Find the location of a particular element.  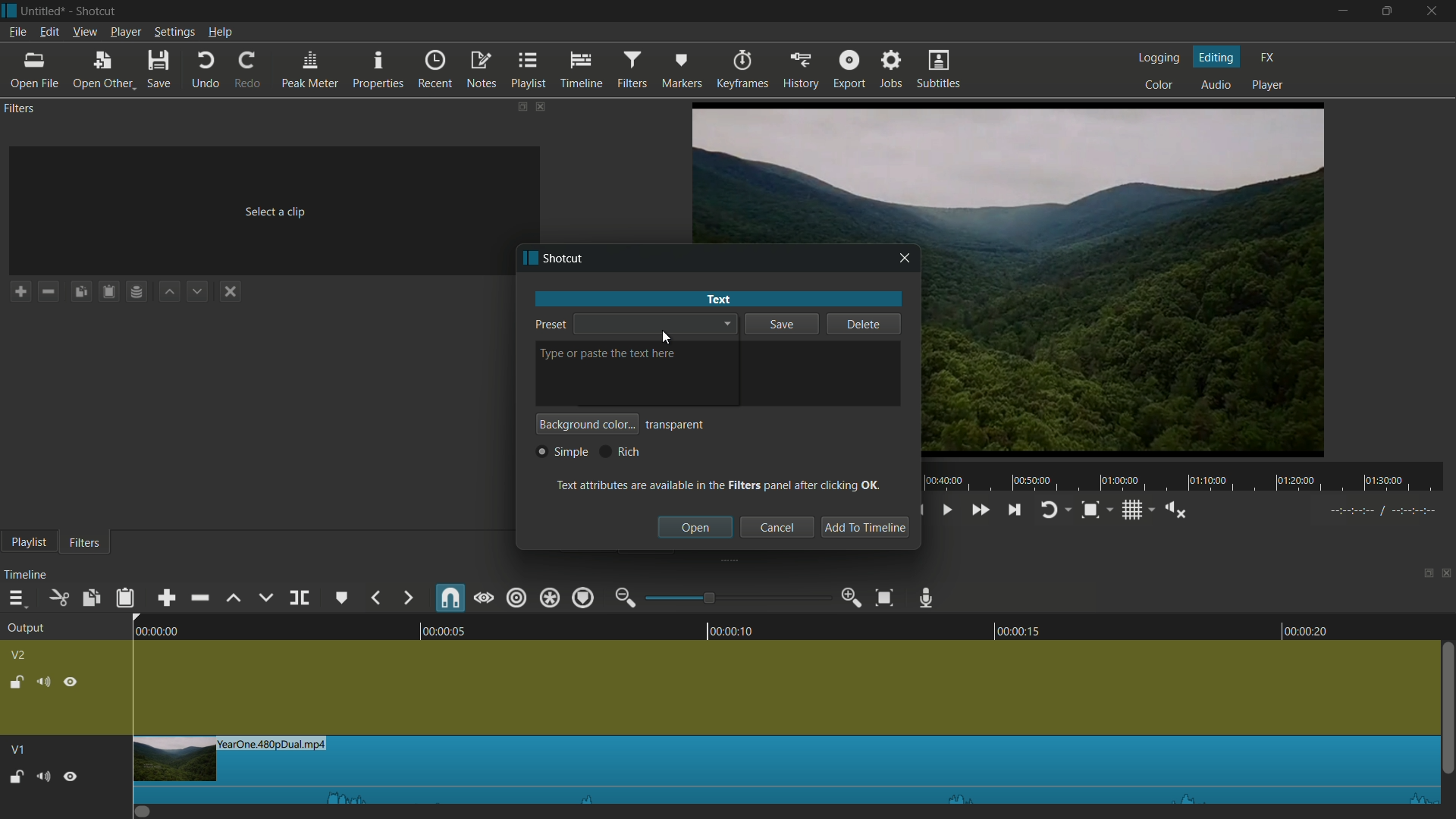

record audio is located at coordinates (927, 596).